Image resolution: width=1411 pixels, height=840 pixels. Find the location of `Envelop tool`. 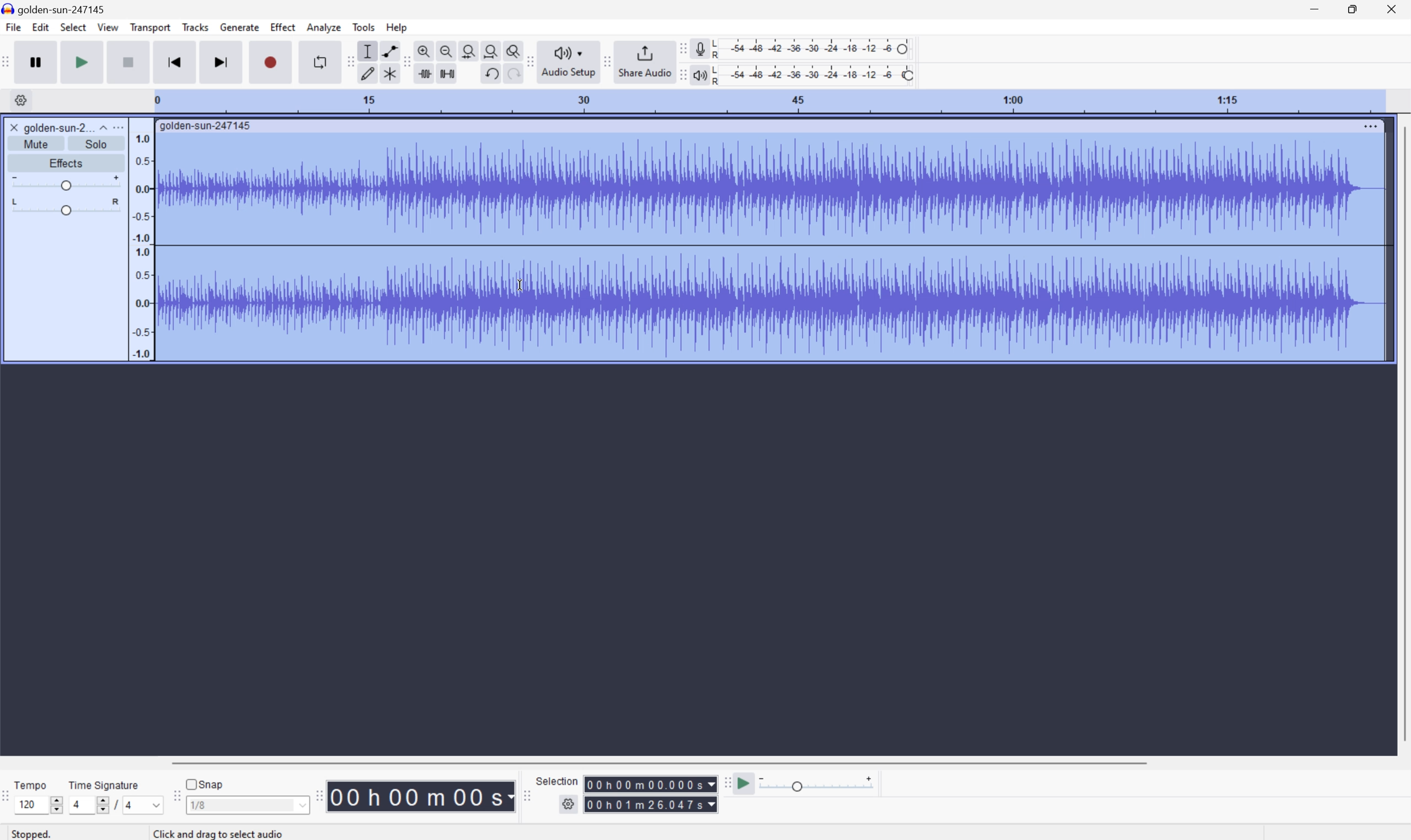

Envelop tool is located at coordinates (387, 50).